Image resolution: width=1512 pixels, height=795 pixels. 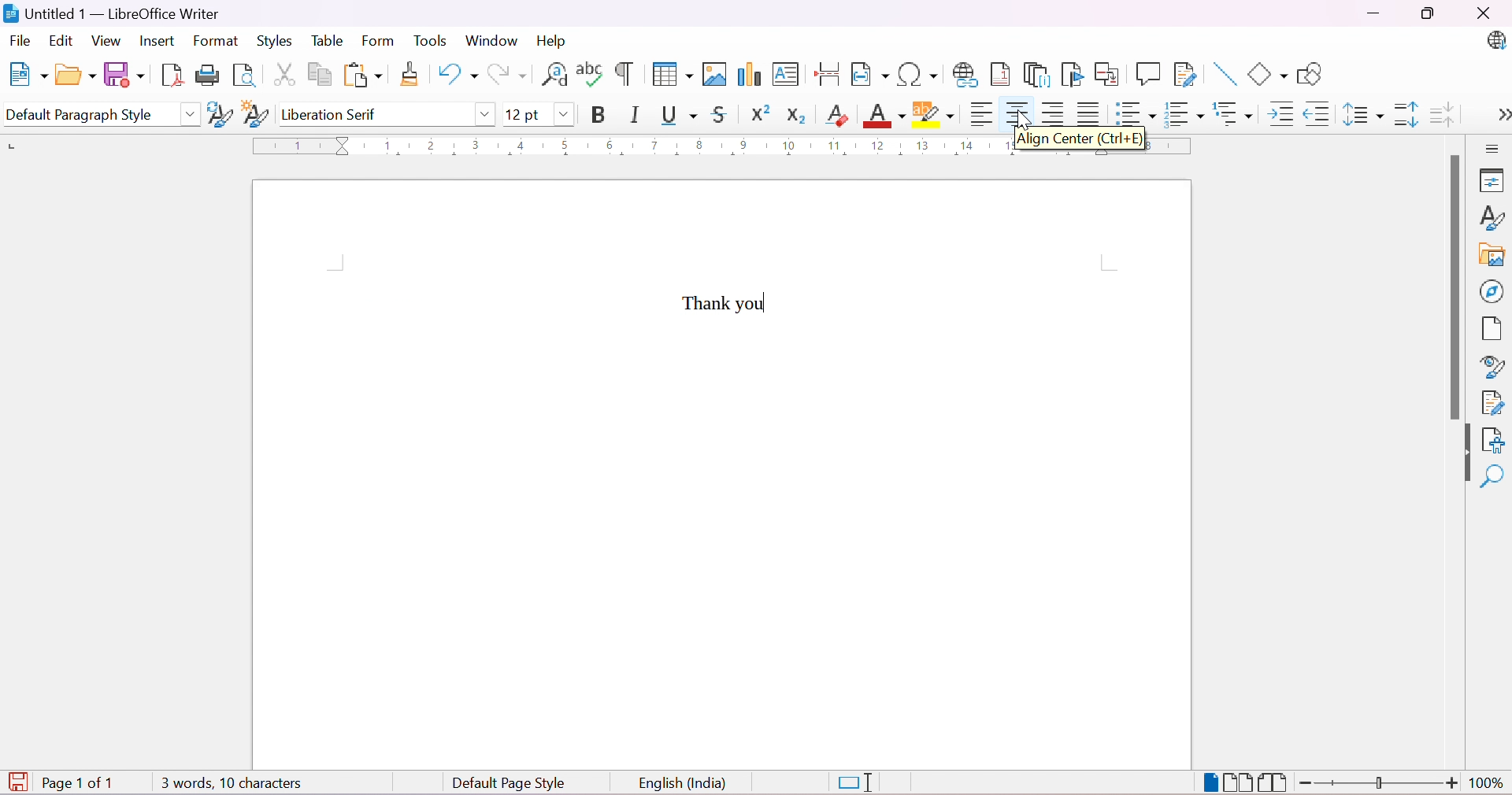 What do you see at coordinates (979, 115) in the screenshot?
I see `Align Left` at bounding box center [979, 115].